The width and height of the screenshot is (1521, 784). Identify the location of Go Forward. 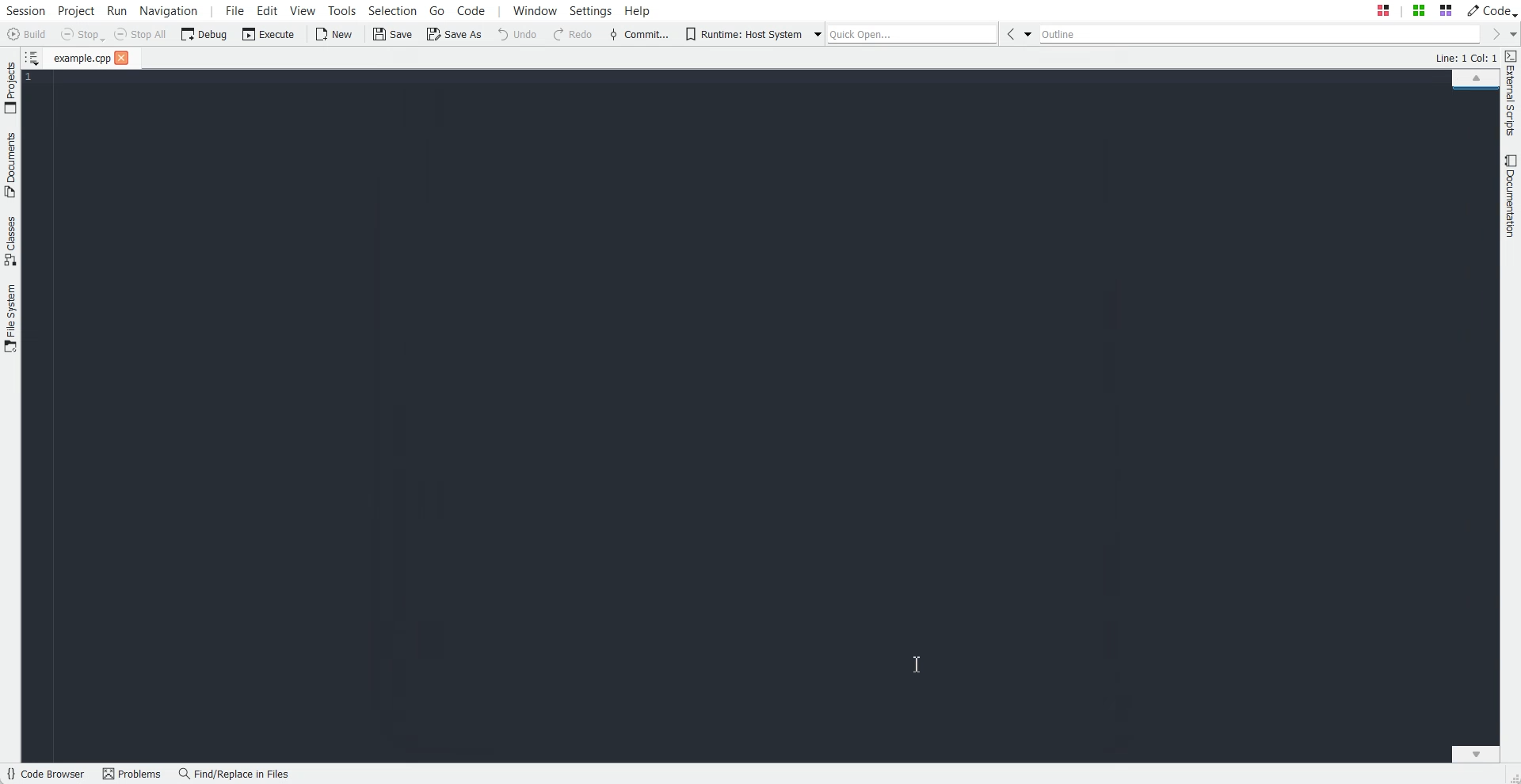
(1491, 33).